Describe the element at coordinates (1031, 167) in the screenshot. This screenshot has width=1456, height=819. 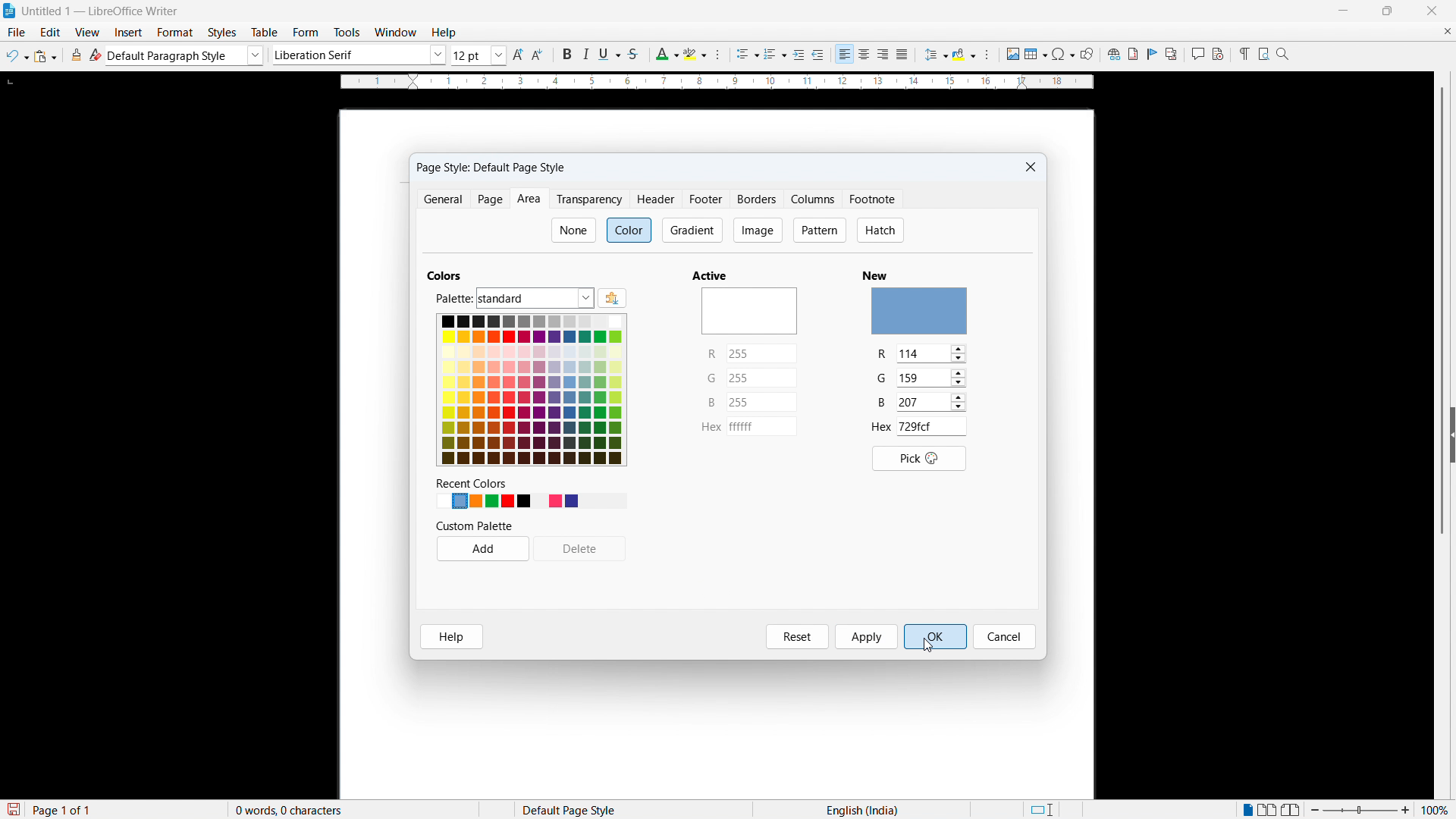
I see `close ` at that location.